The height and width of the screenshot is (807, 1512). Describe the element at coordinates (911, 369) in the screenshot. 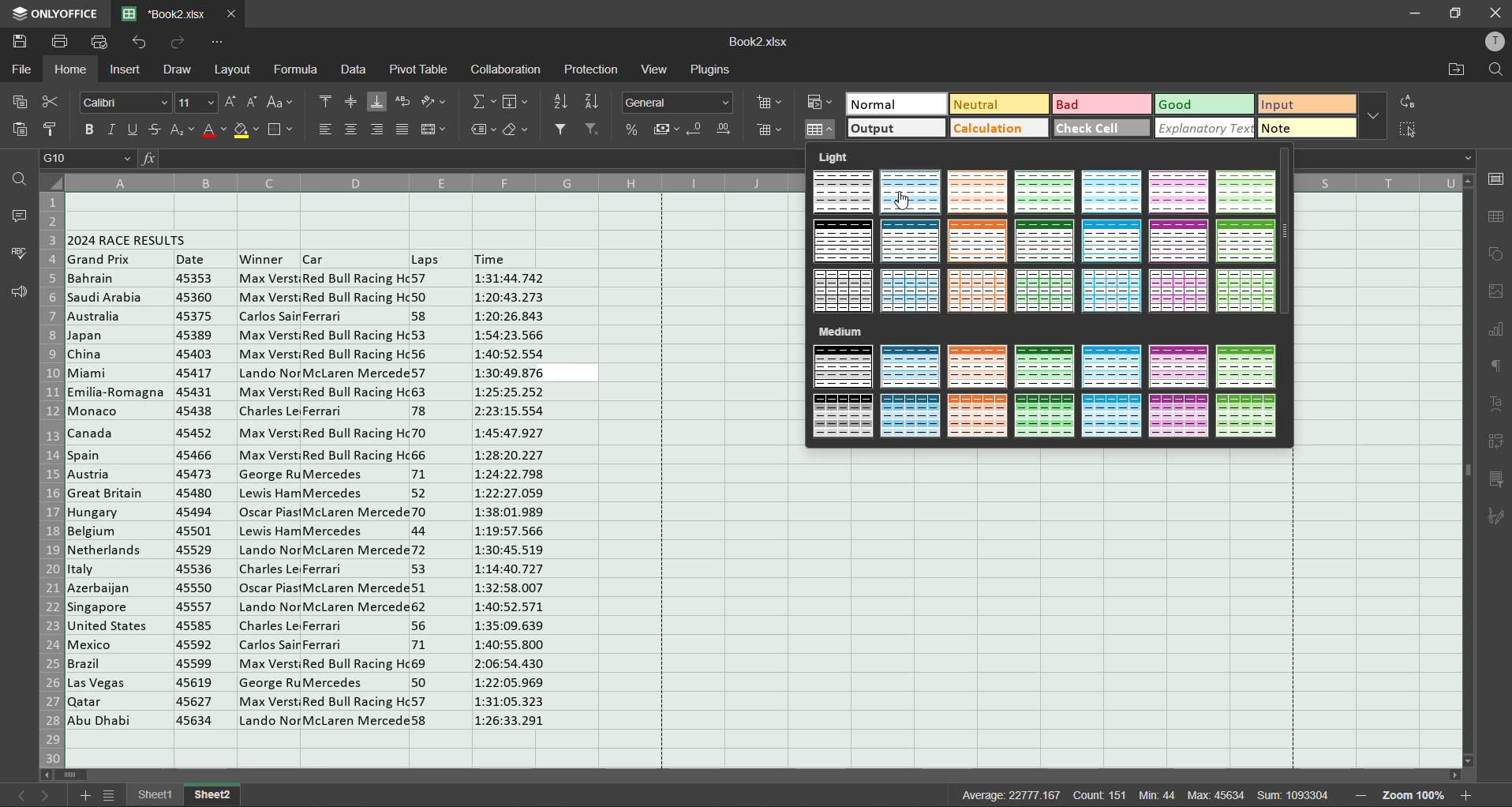

I see `table style medium 2` at that location.